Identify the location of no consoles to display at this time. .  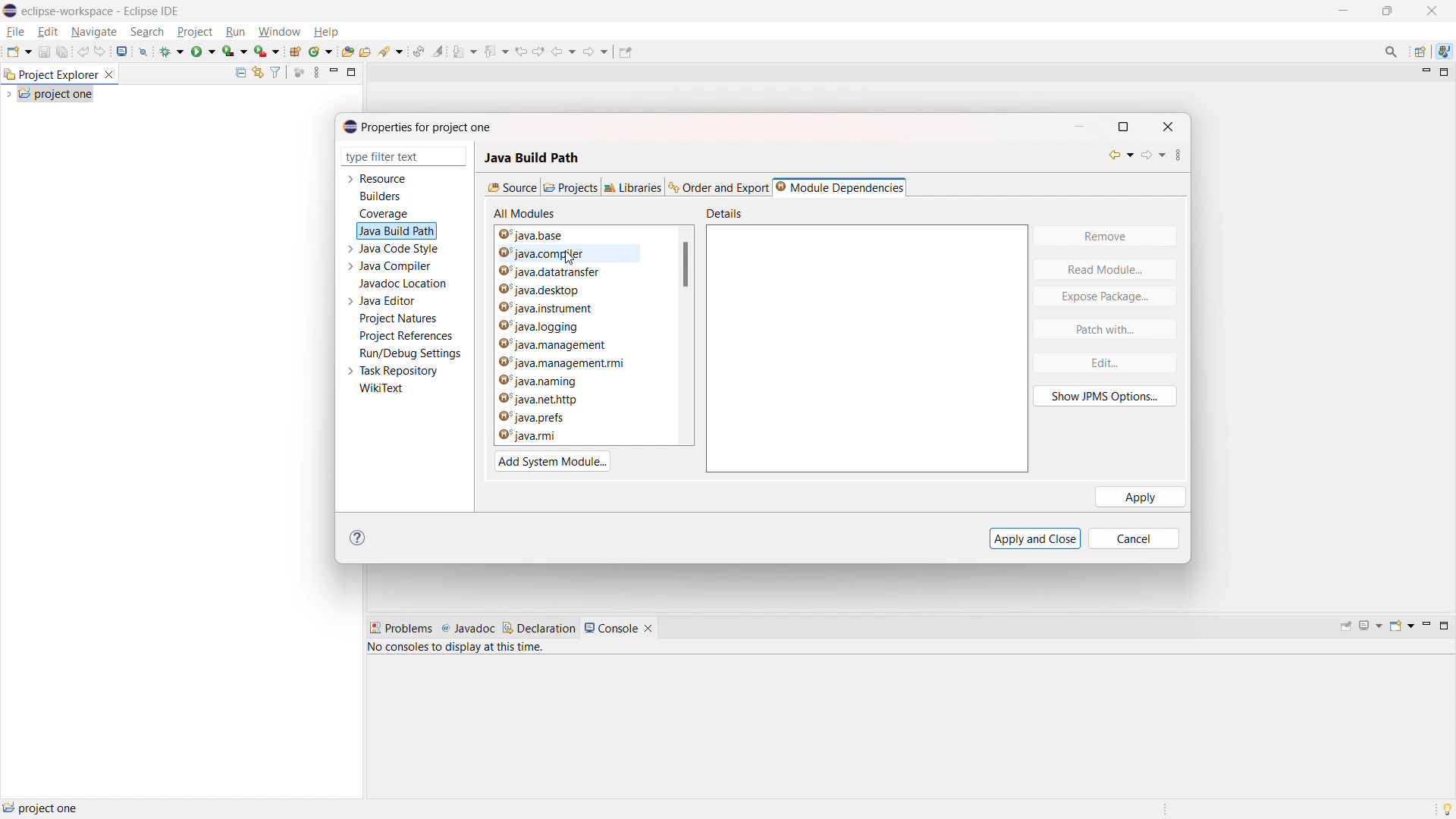
(459, 650).